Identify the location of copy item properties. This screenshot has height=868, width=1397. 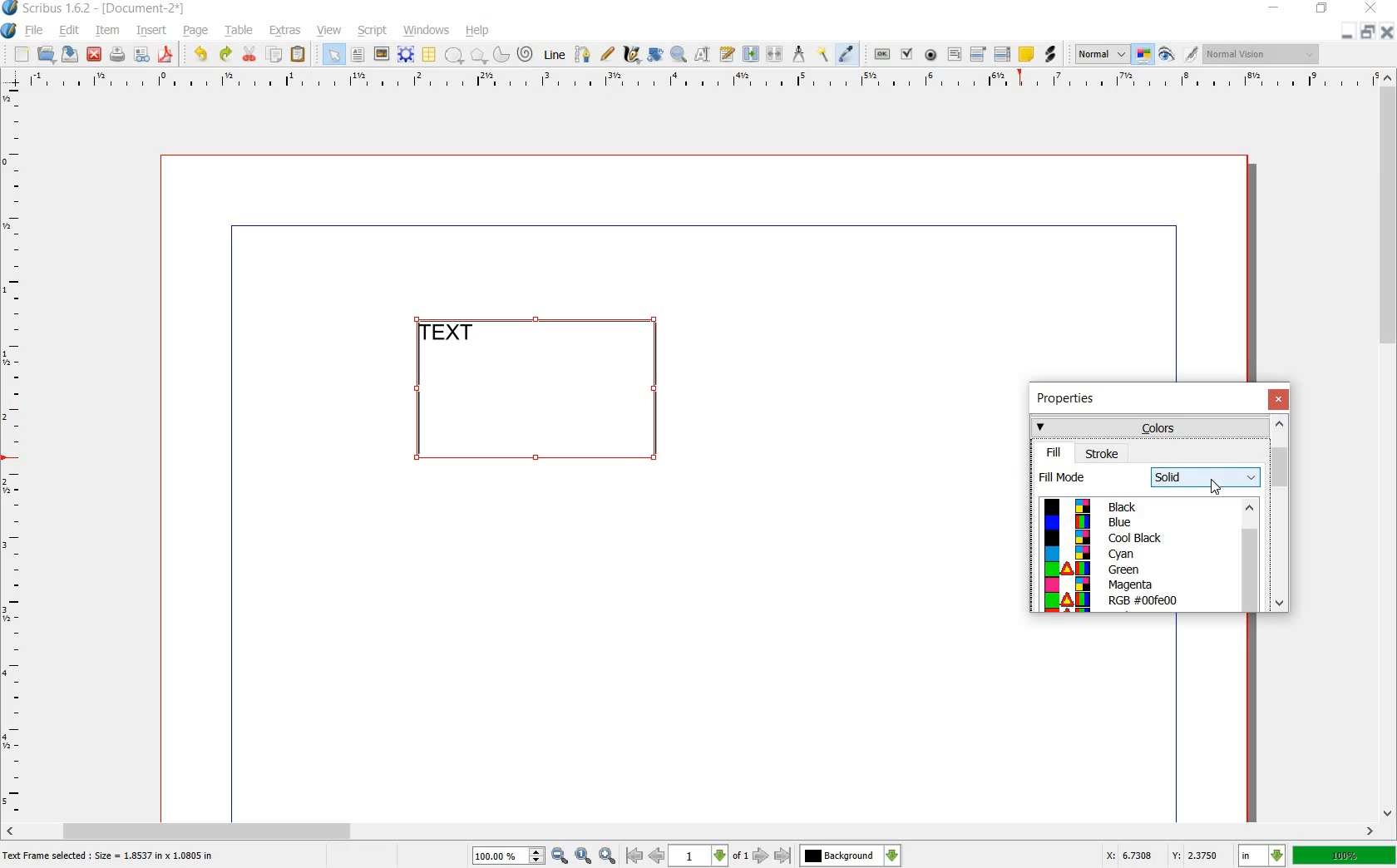
(824, 53).